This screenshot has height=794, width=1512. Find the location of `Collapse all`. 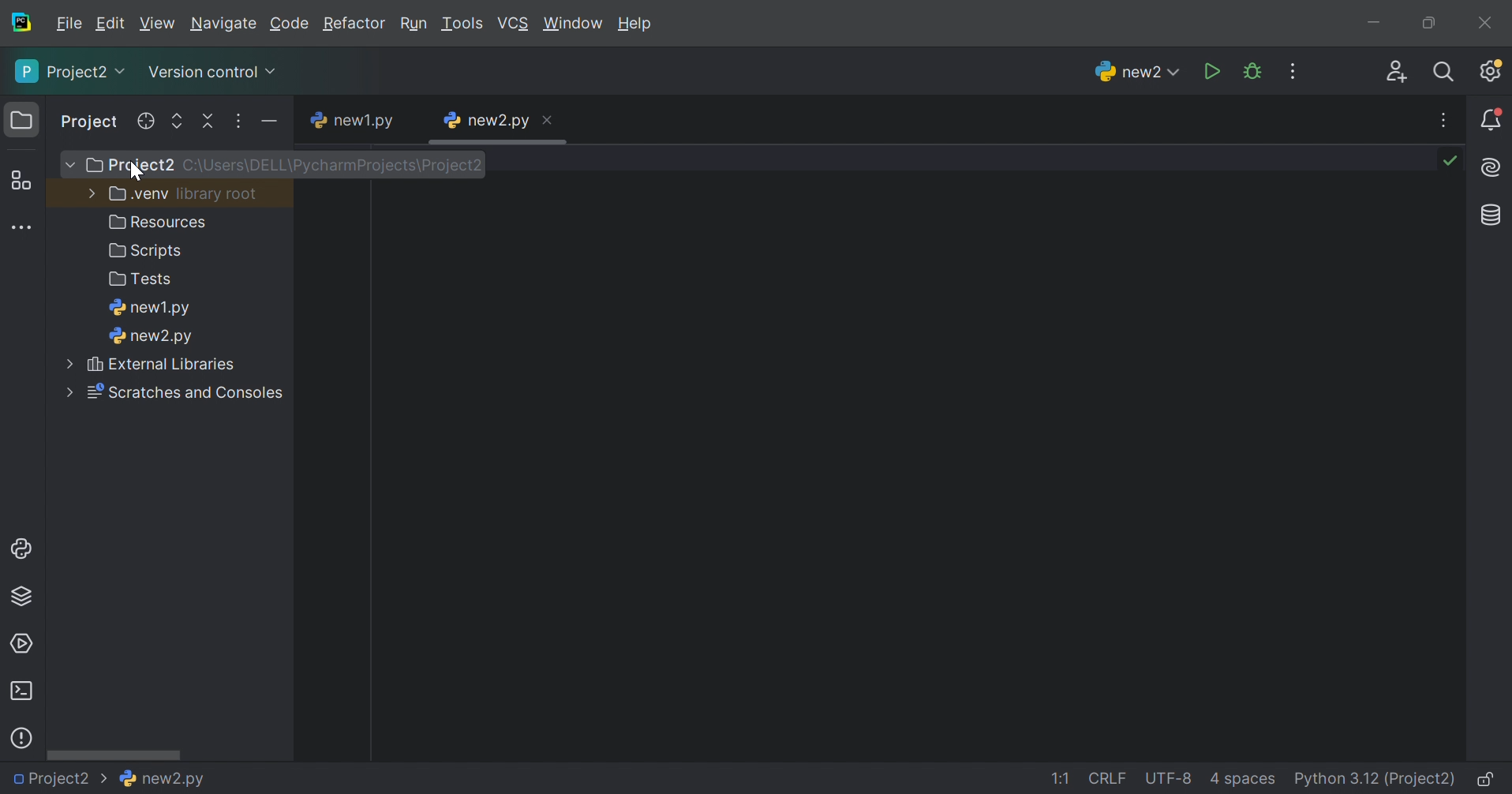

Collapse all is located at coordinates (206, 123).